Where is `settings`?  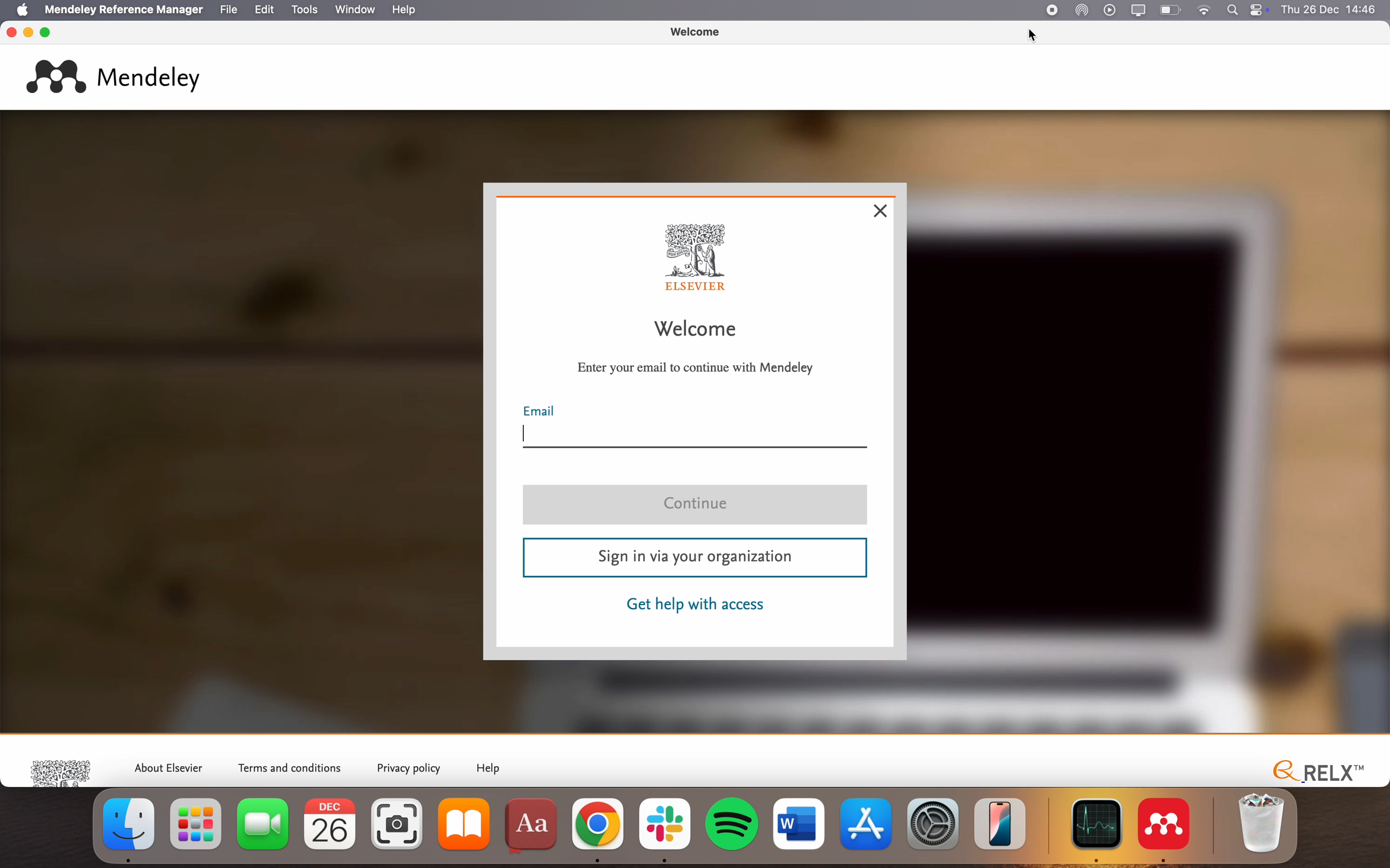
settings is located at coordinates (933, 823).